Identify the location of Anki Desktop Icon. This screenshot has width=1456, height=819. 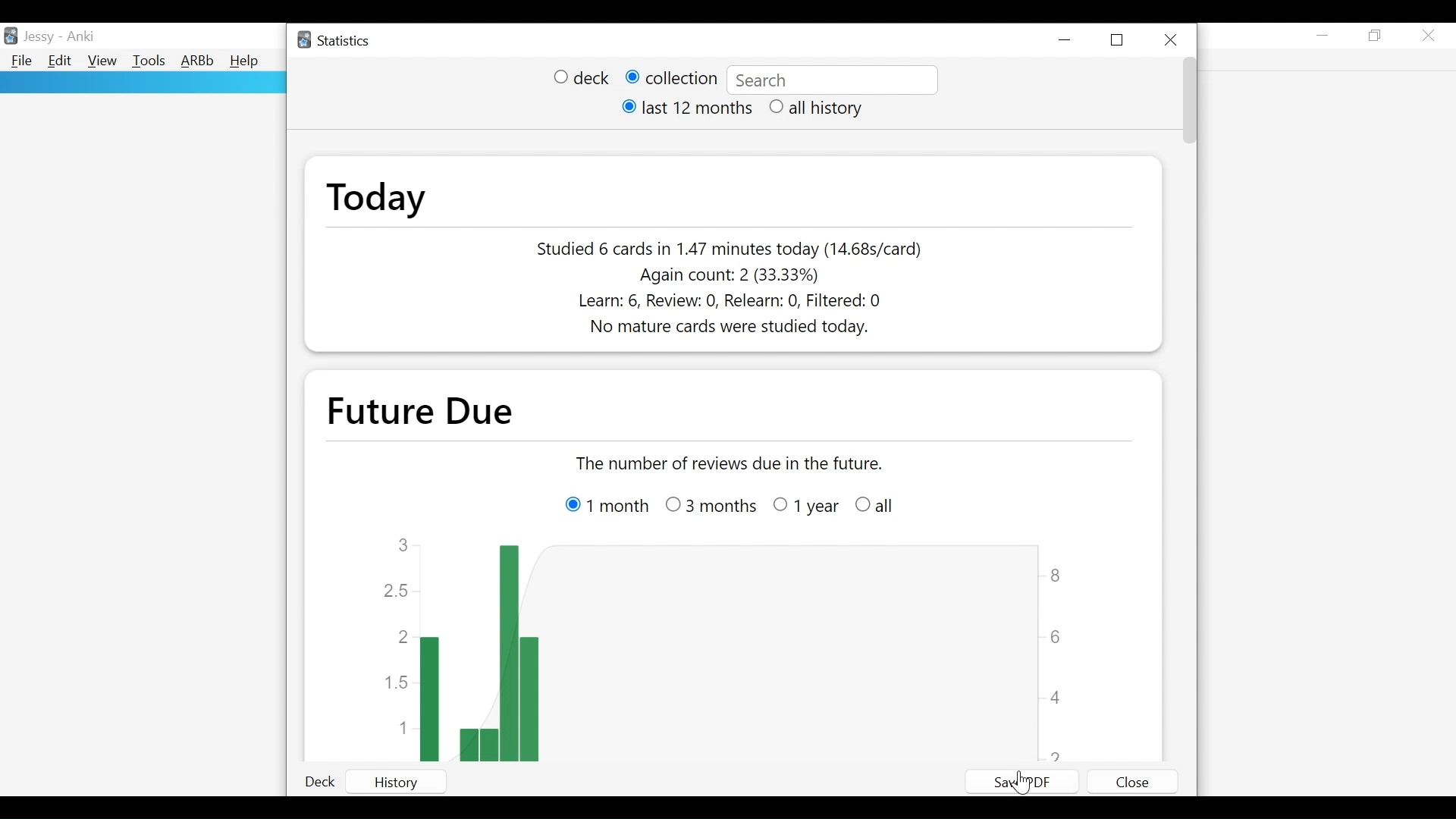
(12, 35).